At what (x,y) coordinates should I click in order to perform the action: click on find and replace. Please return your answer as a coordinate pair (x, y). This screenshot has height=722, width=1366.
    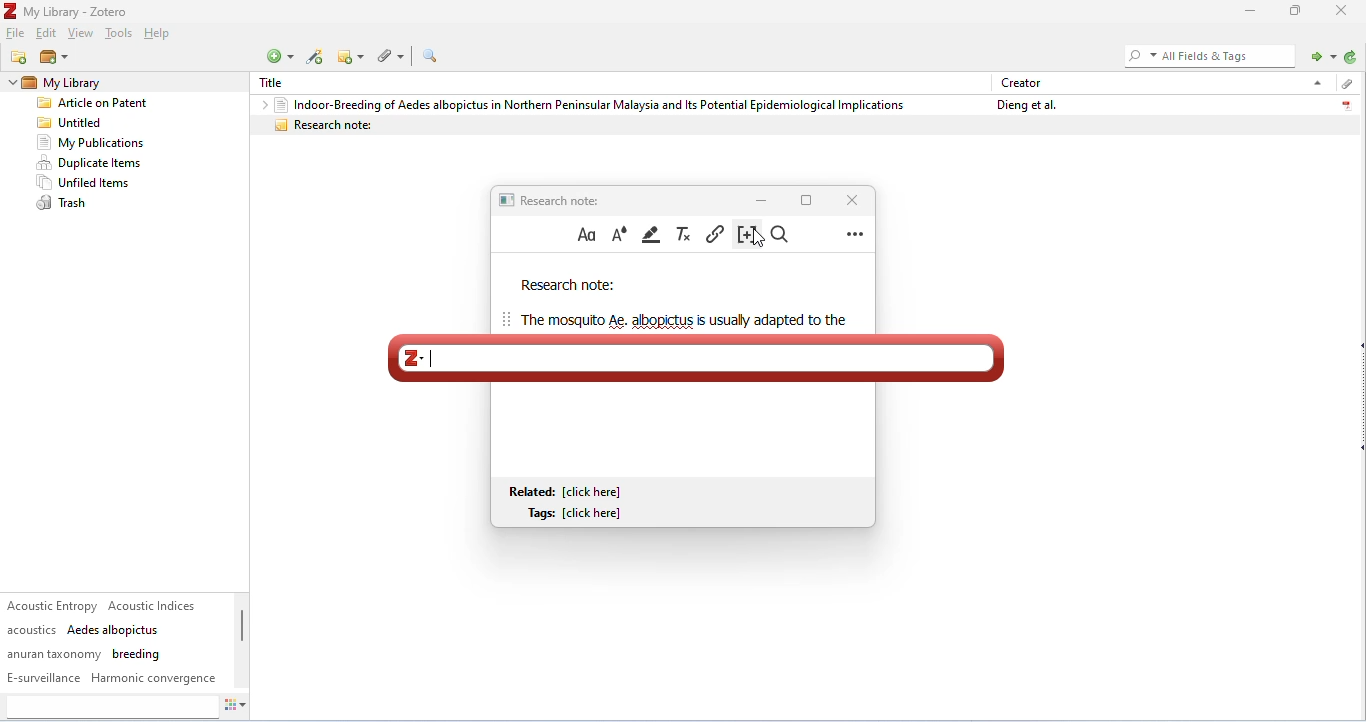
    Looking at the image, I should click on (783, 235).